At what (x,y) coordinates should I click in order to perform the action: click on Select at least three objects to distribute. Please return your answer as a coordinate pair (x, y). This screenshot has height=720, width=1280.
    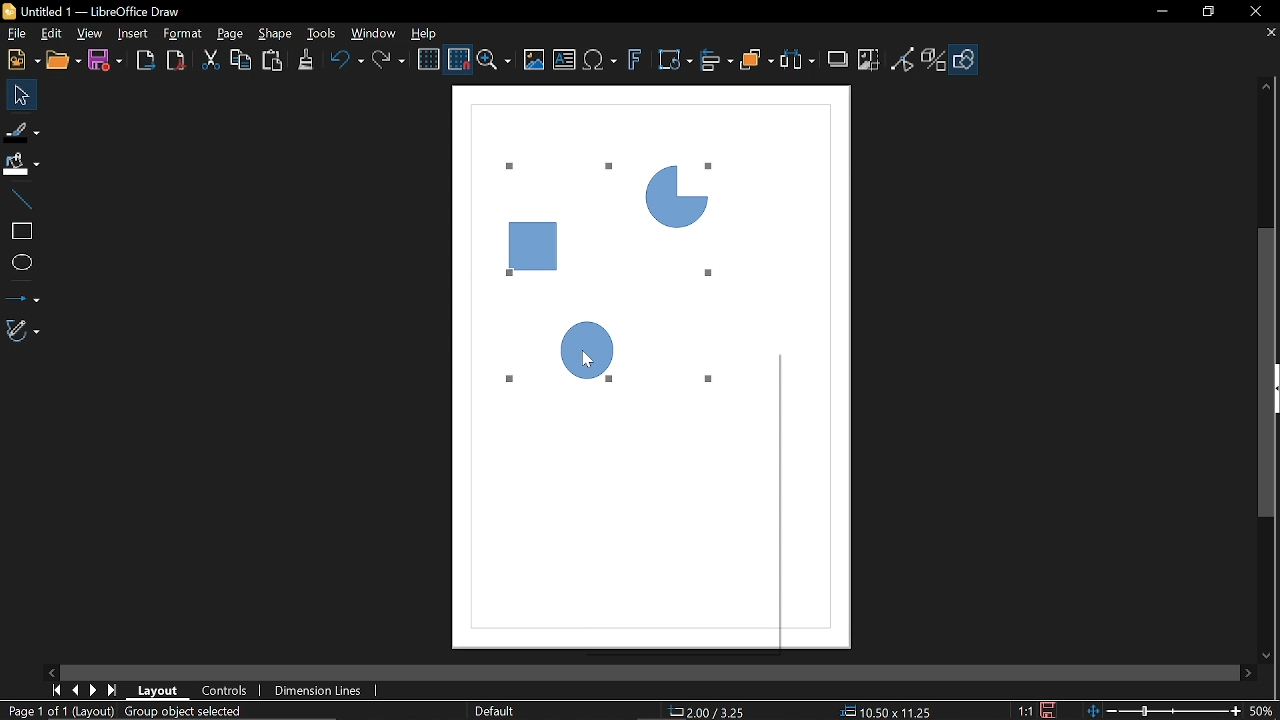
    Looking at the image, I should click on (800, 64).